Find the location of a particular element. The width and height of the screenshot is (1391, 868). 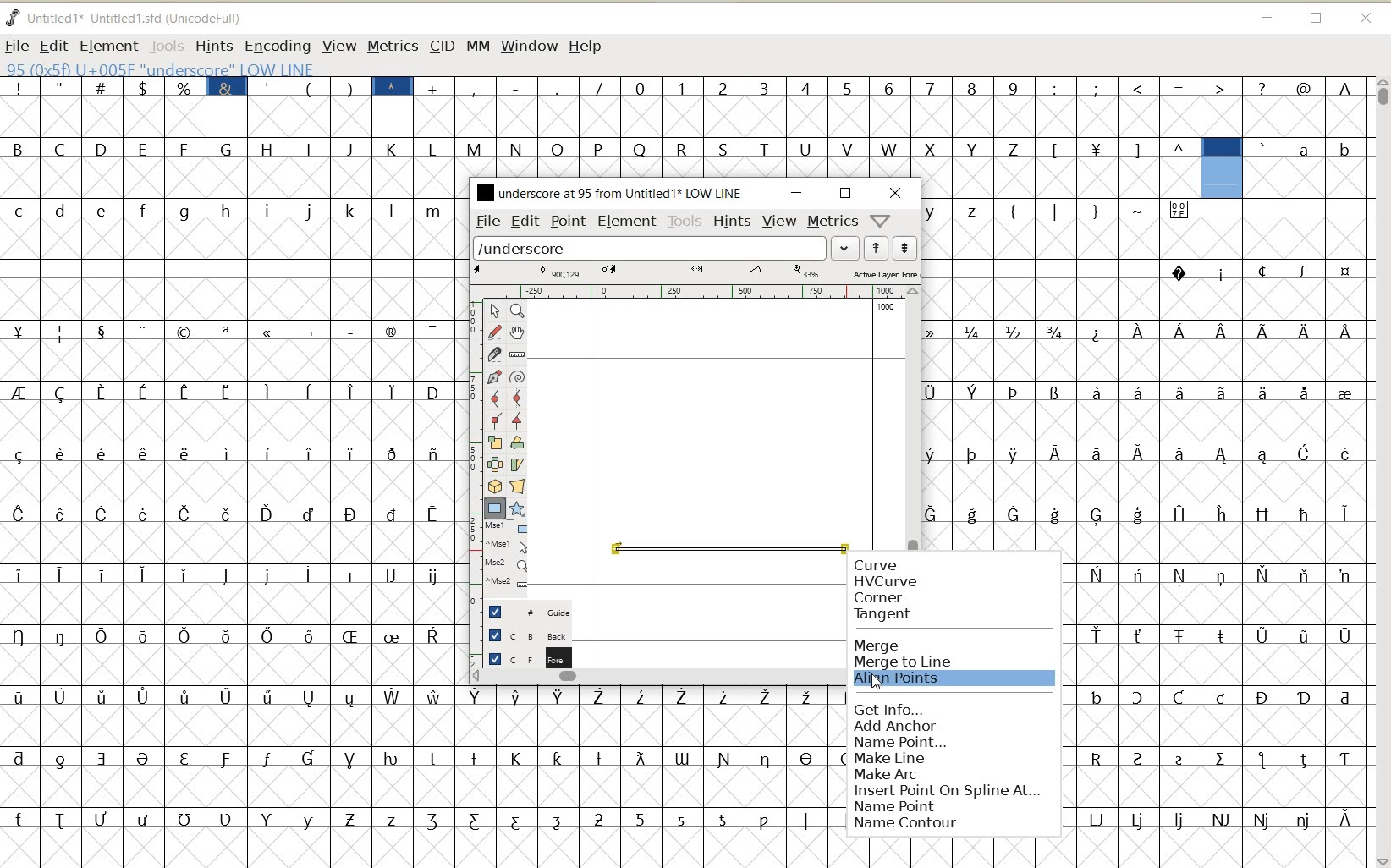

HV CURVE is located at coordinates (884, 581).